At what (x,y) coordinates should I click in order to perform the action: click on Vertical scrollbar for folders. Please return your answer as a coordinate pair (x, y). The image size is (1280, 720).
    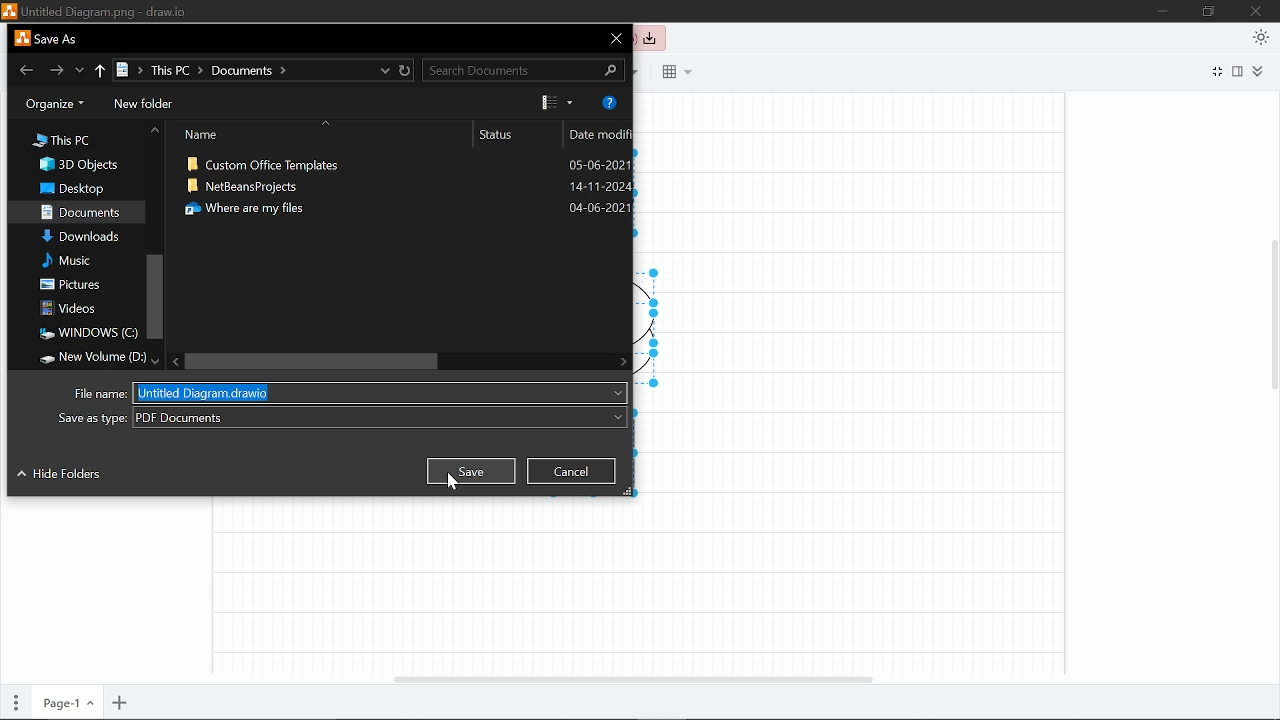
    Looking at the image, I should click on (154, 295).